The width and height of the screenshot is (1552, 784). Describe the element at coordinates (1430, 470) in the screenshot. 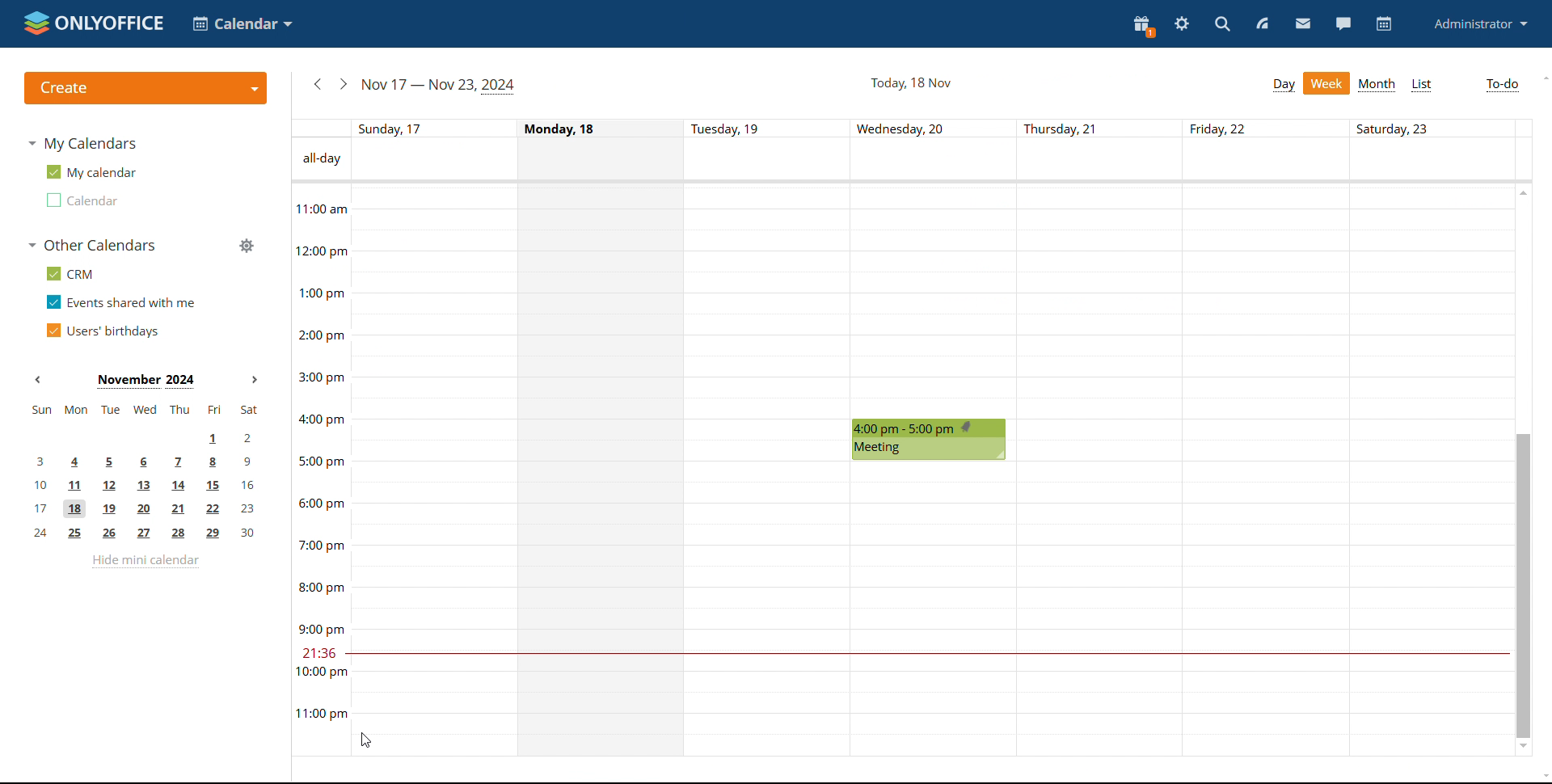

I see `saturday` at that location.